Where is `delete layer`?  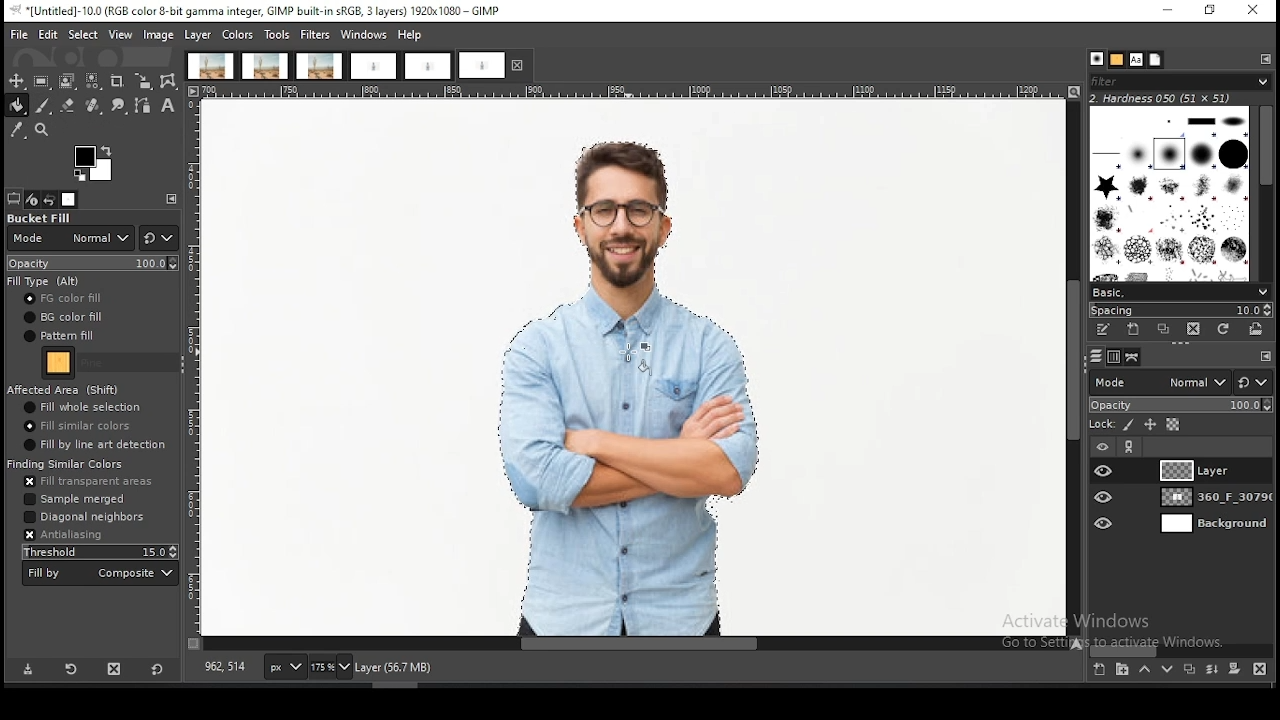
delete layer is located at coordinates (1263, 671).